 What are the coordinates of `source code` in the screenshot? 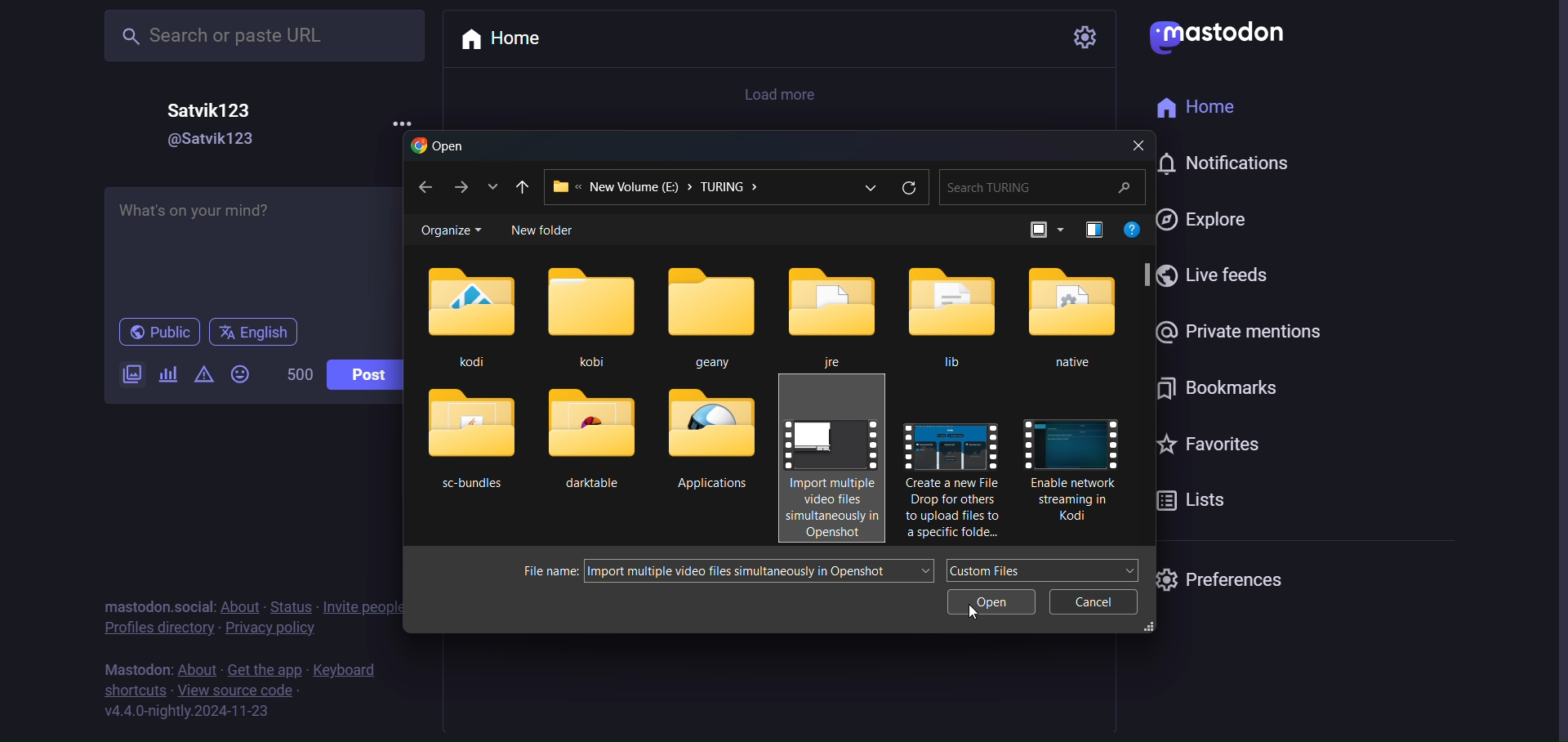 It's located at (237, 691).